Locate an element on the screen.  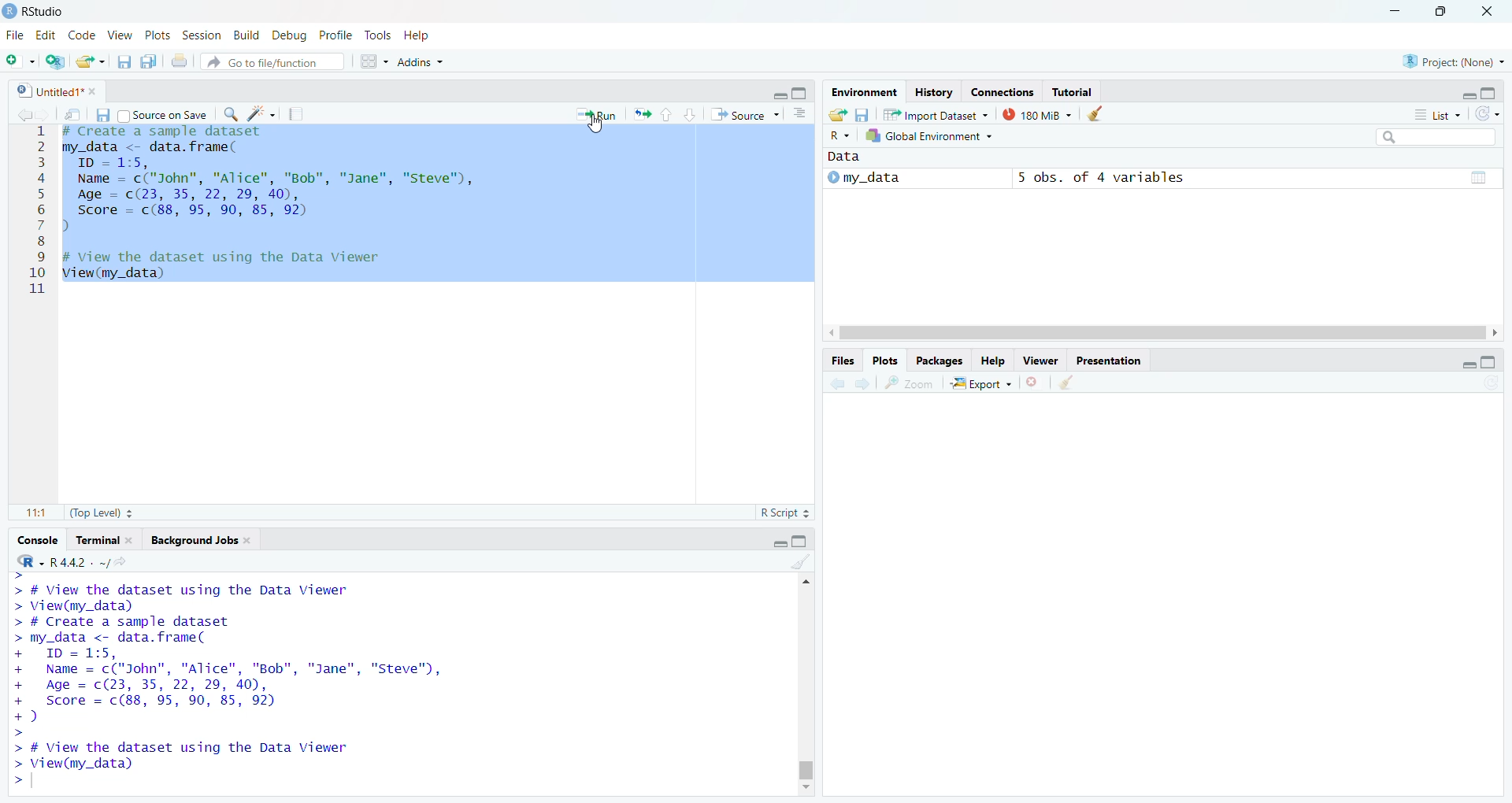
Print the current file is located at coordinates (176, 61).